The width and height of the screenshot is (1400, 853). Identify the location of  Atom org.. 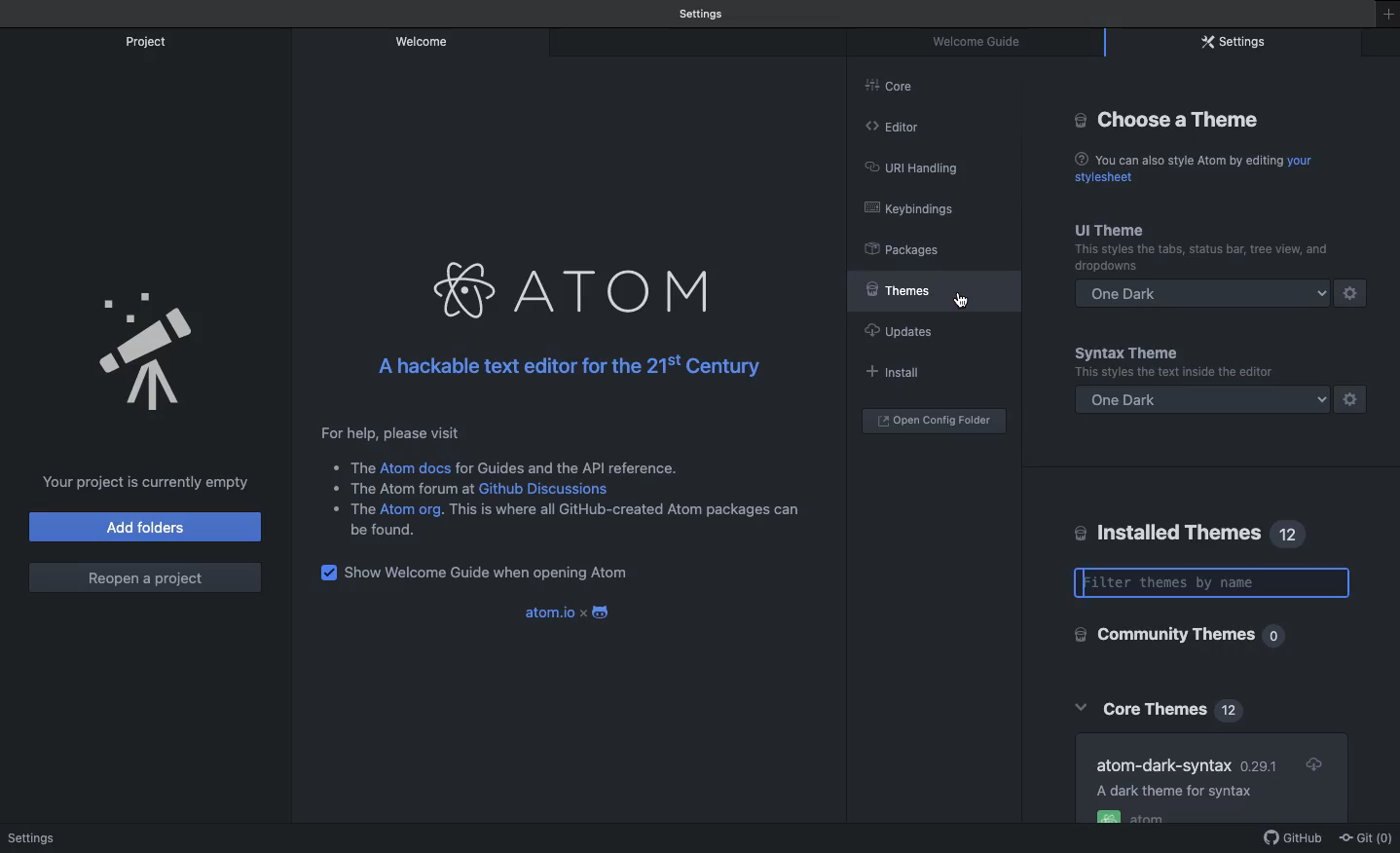
(416, 509).